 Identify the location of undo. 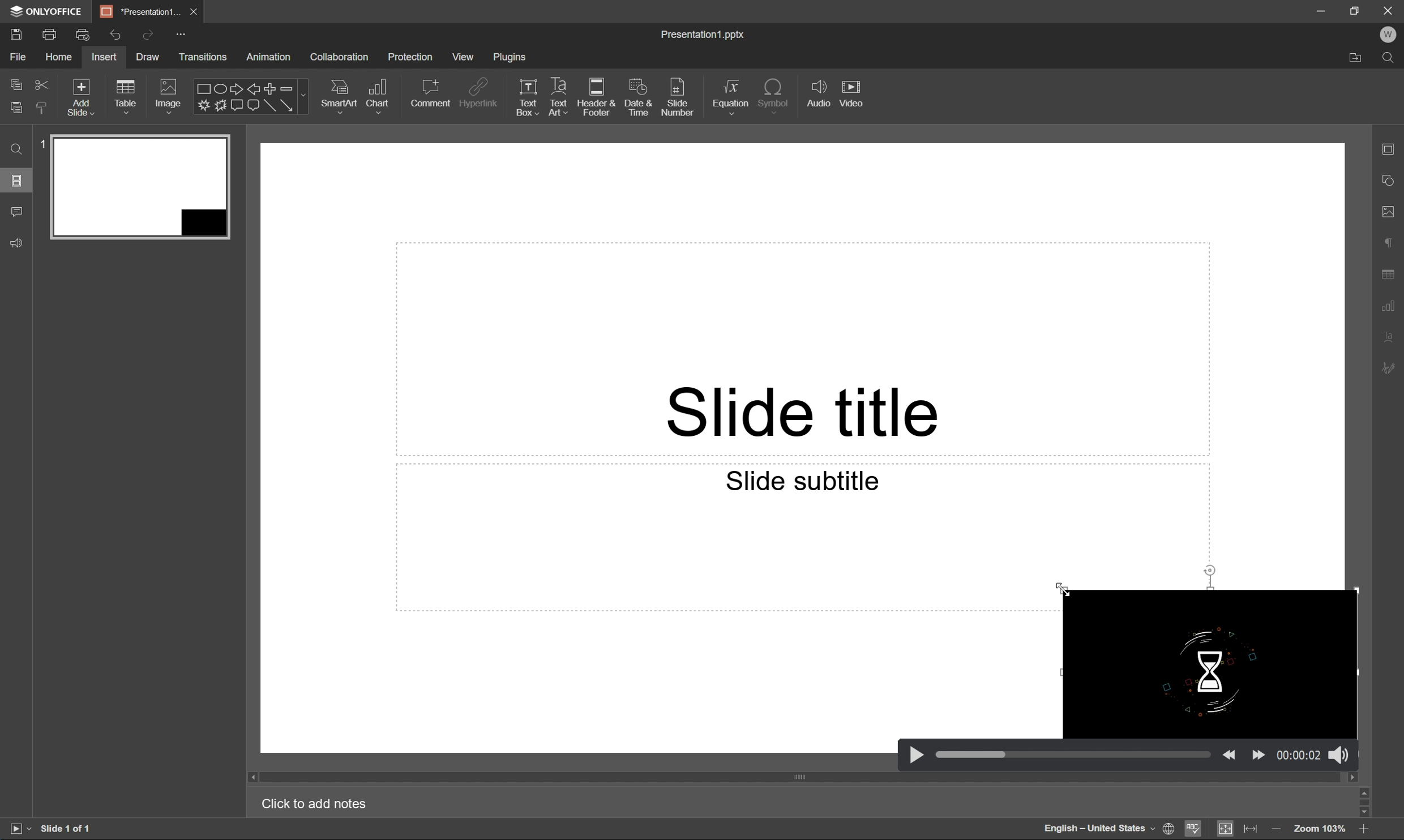
(112, 35).